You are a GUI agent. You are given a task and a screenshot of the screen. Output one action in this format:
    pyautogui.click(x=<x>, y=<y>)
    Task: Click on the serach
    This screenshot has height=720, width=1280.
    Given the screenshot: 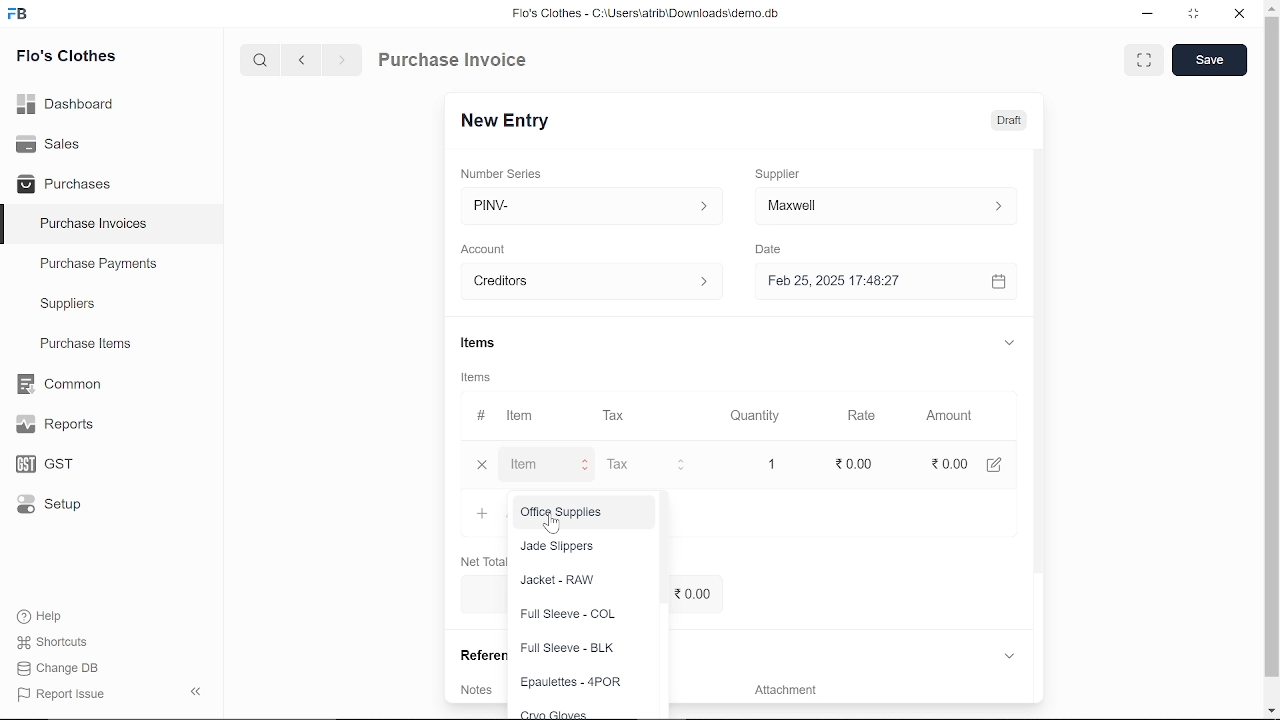 What is the action you would take?
    pyautogui.click(x=258, y=61)
    